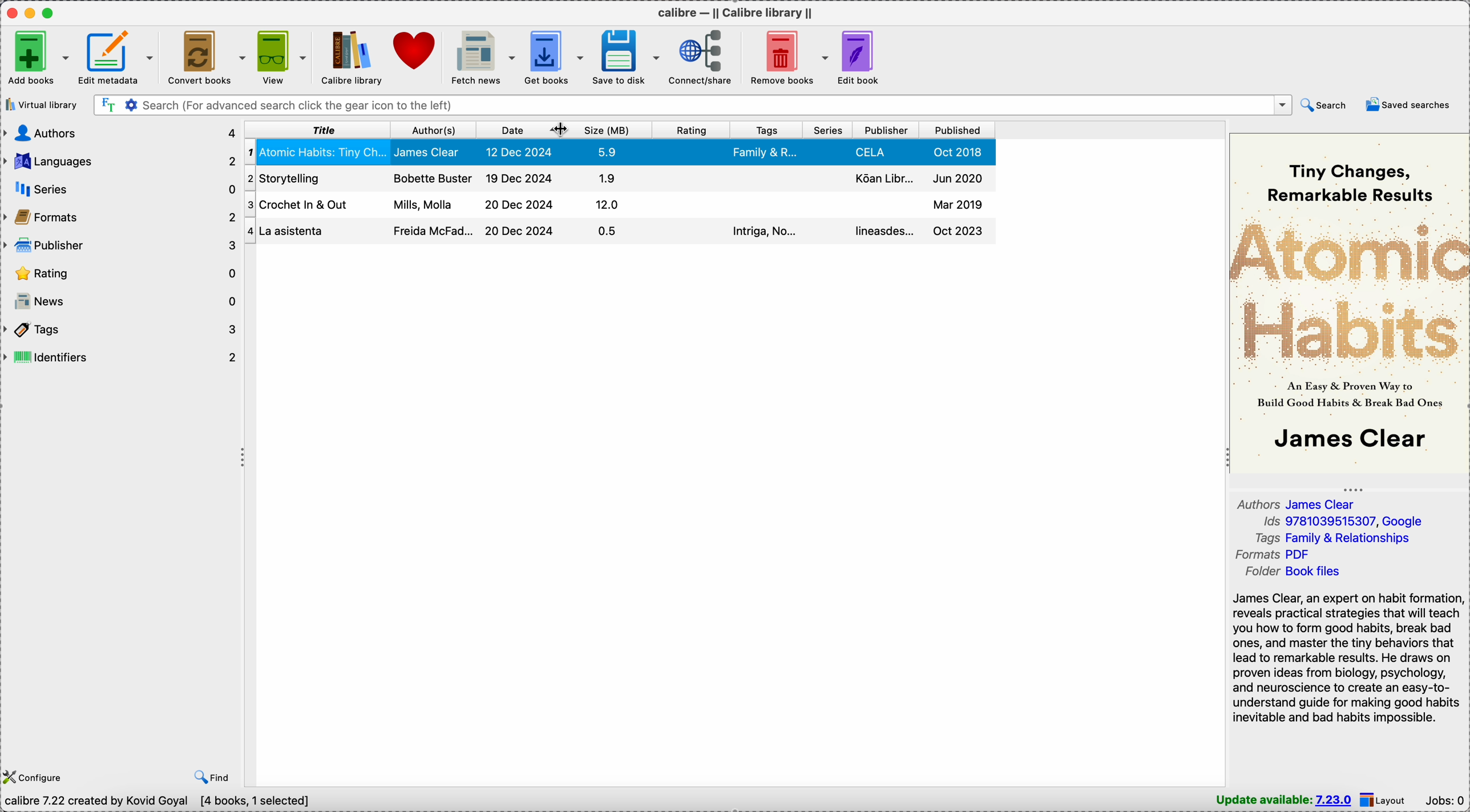 This screenshot has height=812, width=1470. I want to click on book cover preview, so click(1350, 304).